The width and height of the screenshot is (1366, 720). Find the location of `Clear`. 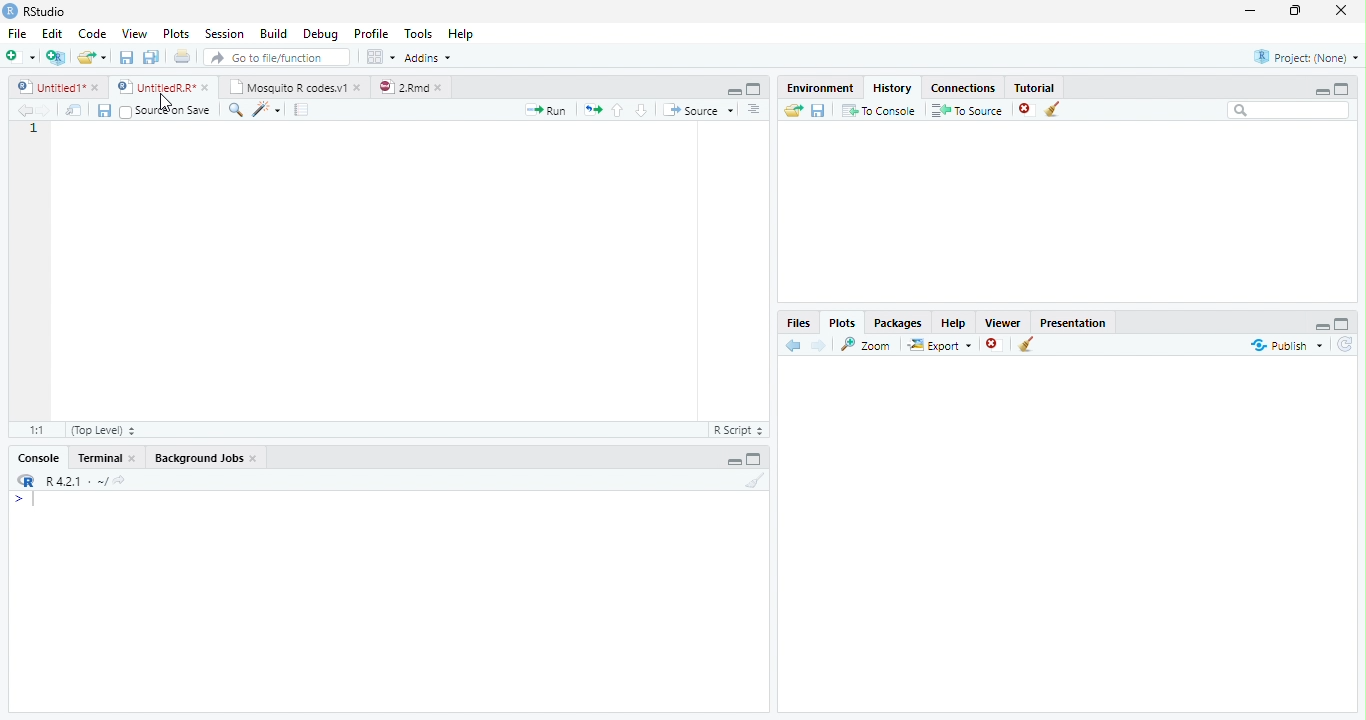

Clear is located at coordinates (1053, 109).